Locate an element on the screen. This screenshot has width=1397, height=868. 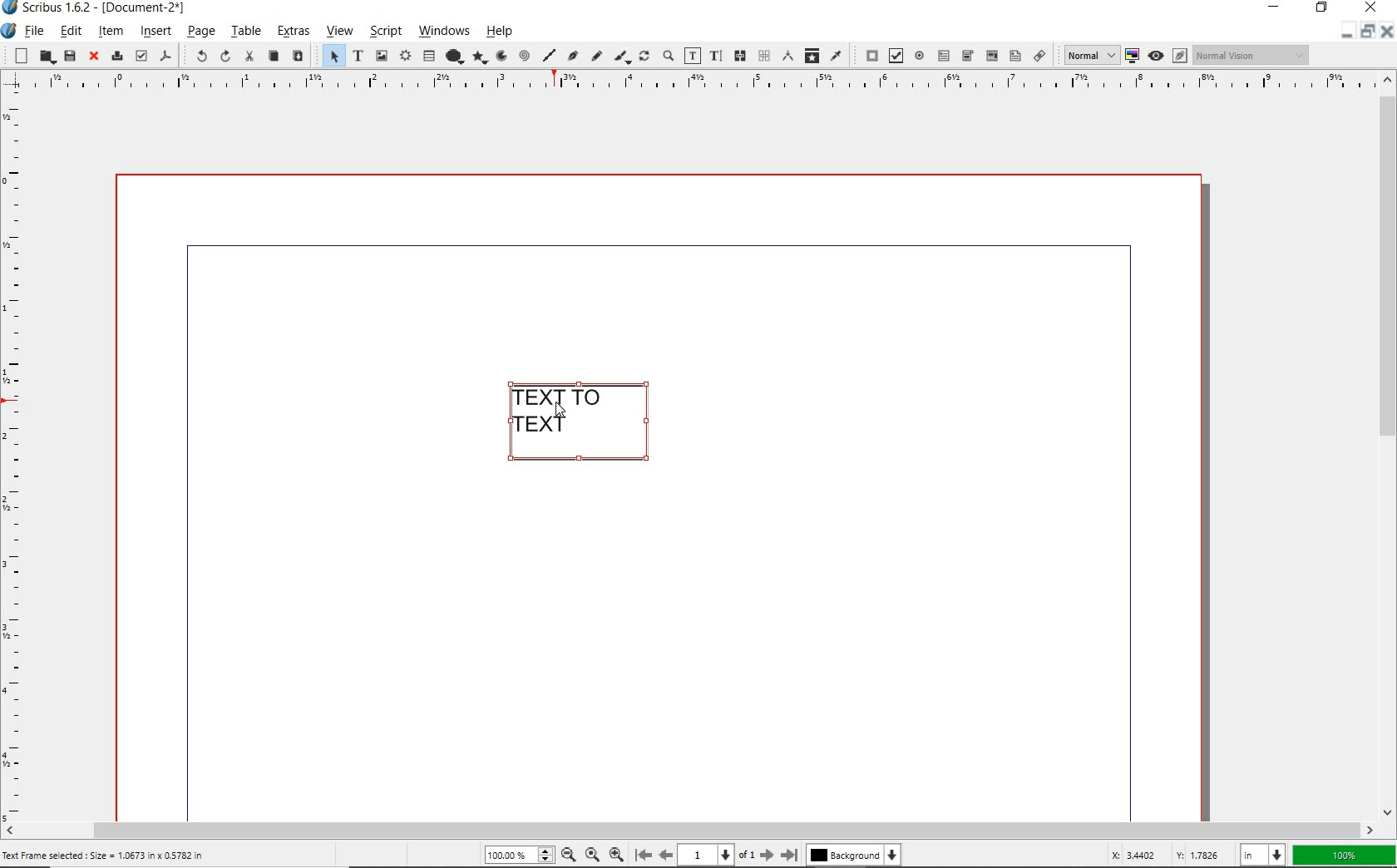
pdf check box is located at coordinates (896, 55).